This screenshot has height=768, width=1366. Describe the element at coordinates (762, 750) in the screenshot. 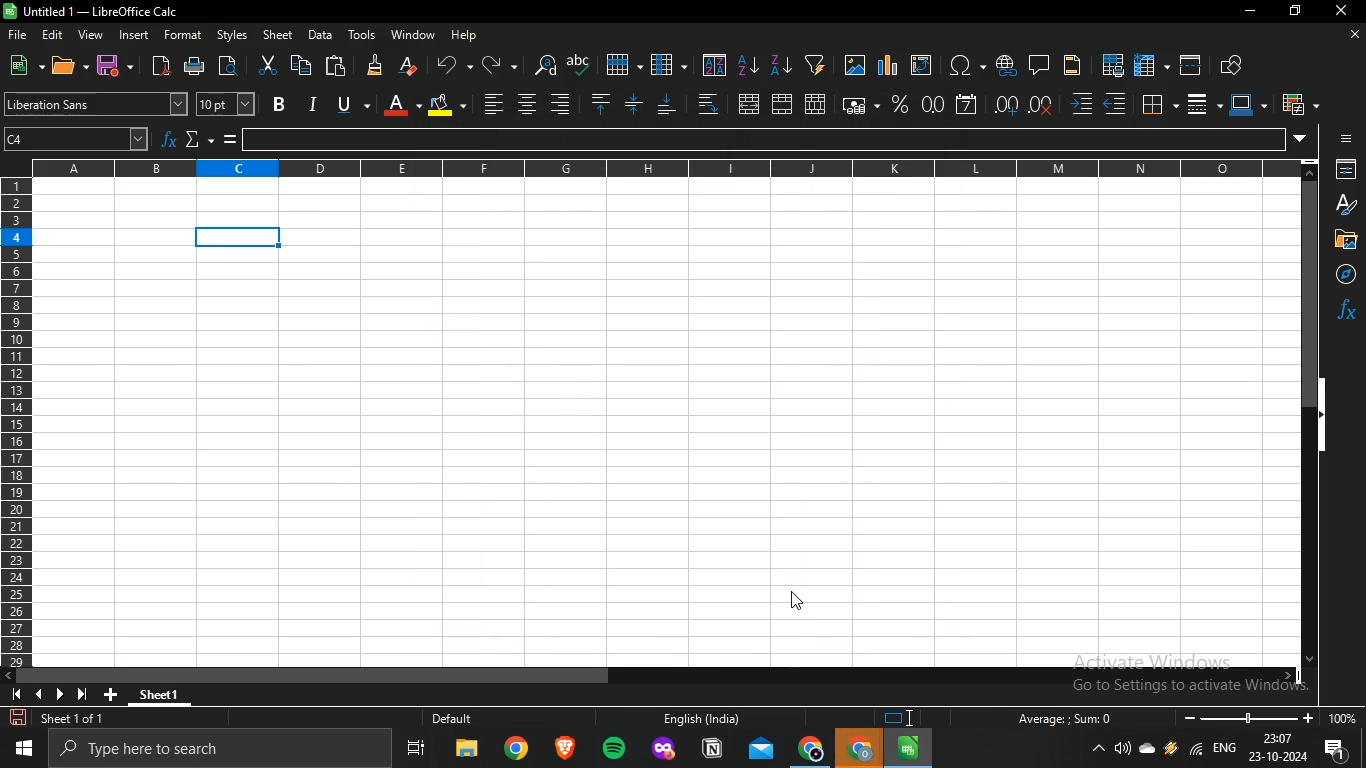

I see `outlook` at that location.